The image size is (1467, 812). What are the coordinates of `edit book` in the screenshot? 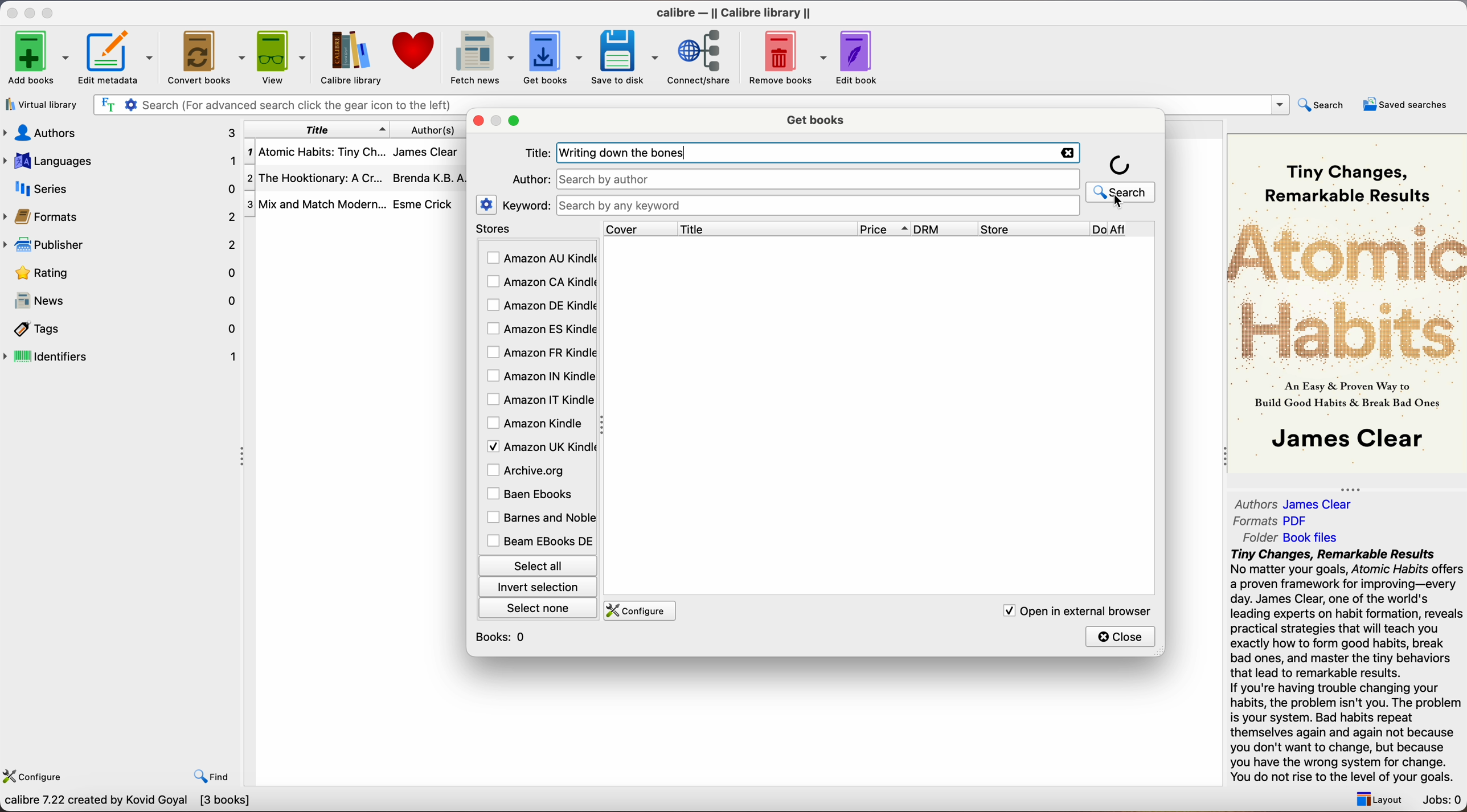 It's located at (859, 58).